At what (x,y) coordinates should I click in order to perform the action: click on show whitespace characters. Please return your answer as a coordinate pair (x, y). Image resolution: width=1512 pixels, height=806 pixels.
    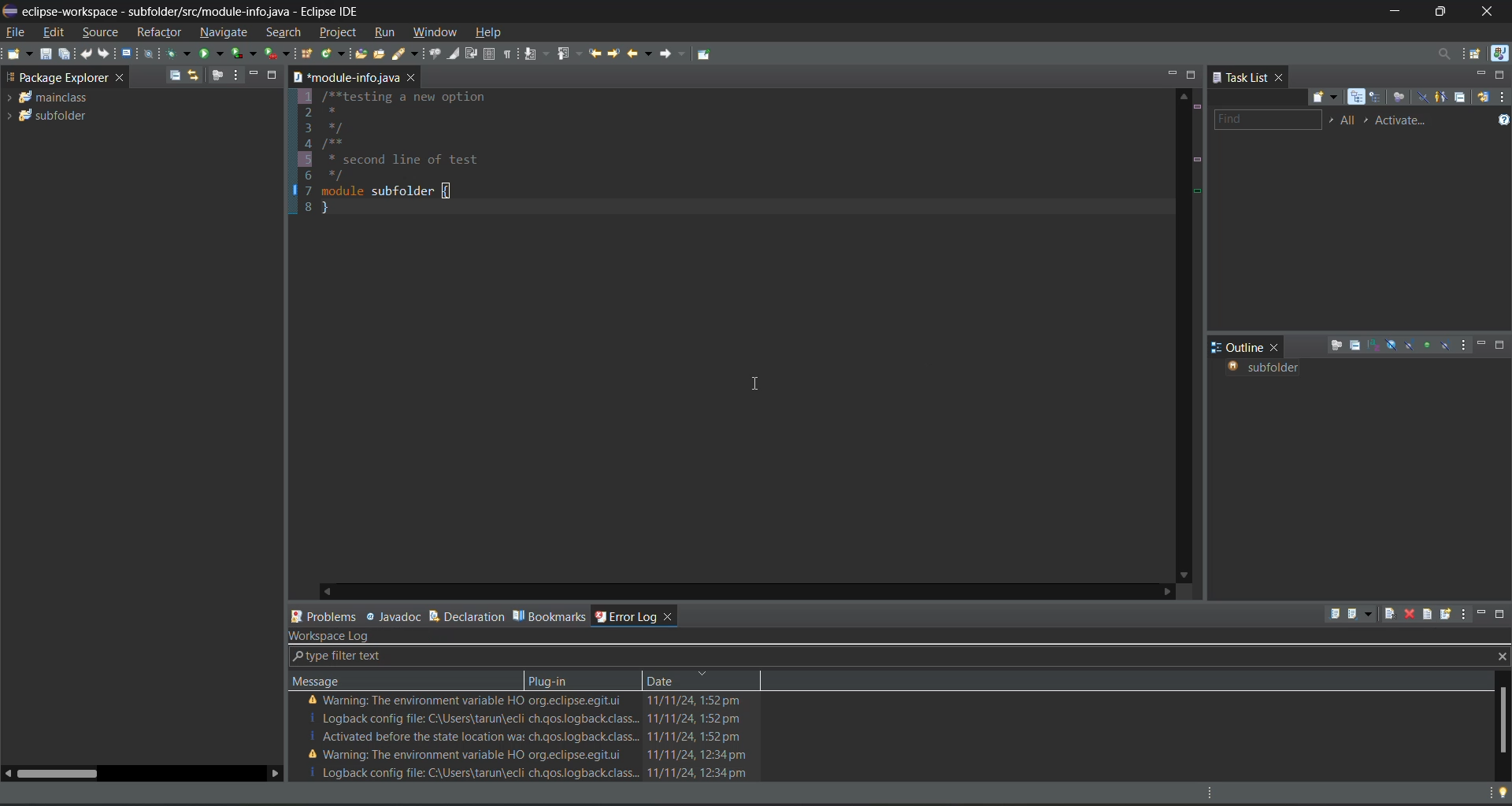
    Looking at the image, I should click on (510, 54).